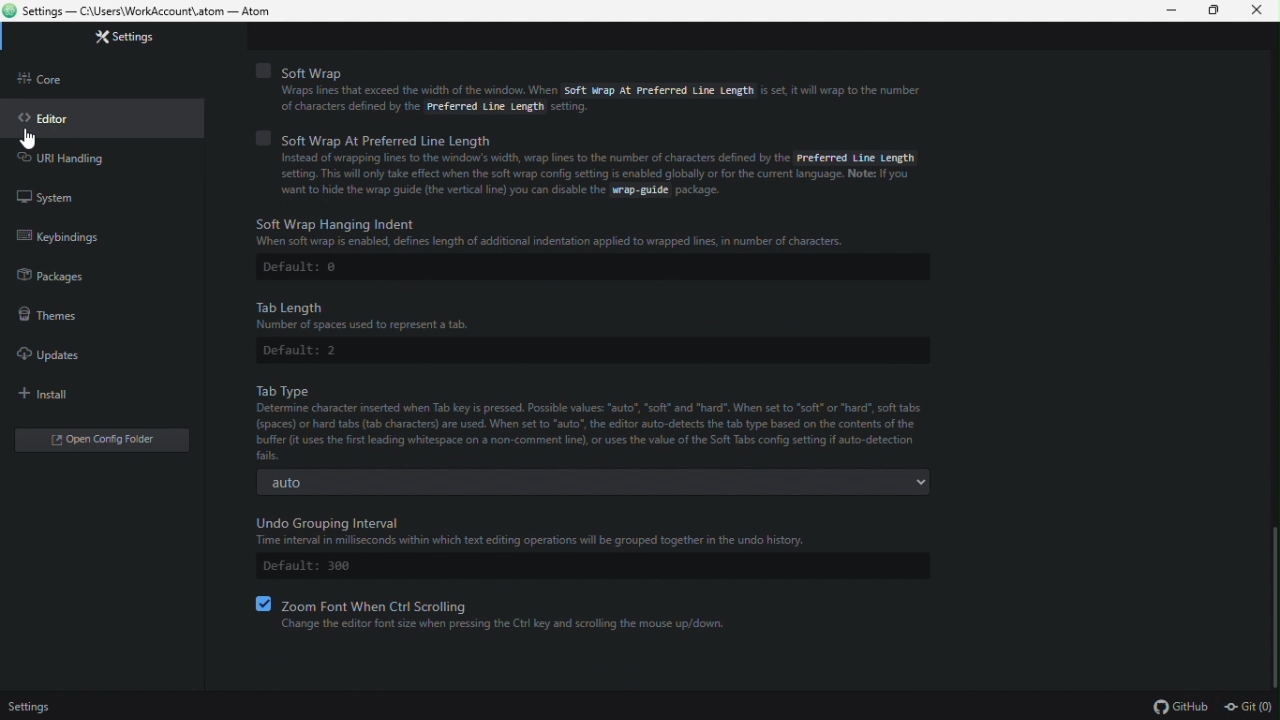 This screenshot has width=1280, height=720. What do you see at coordinates (508, 605) in the screenshot?
I see `Zoom font when ctrl scrolling` at bounding box center [508, 605].